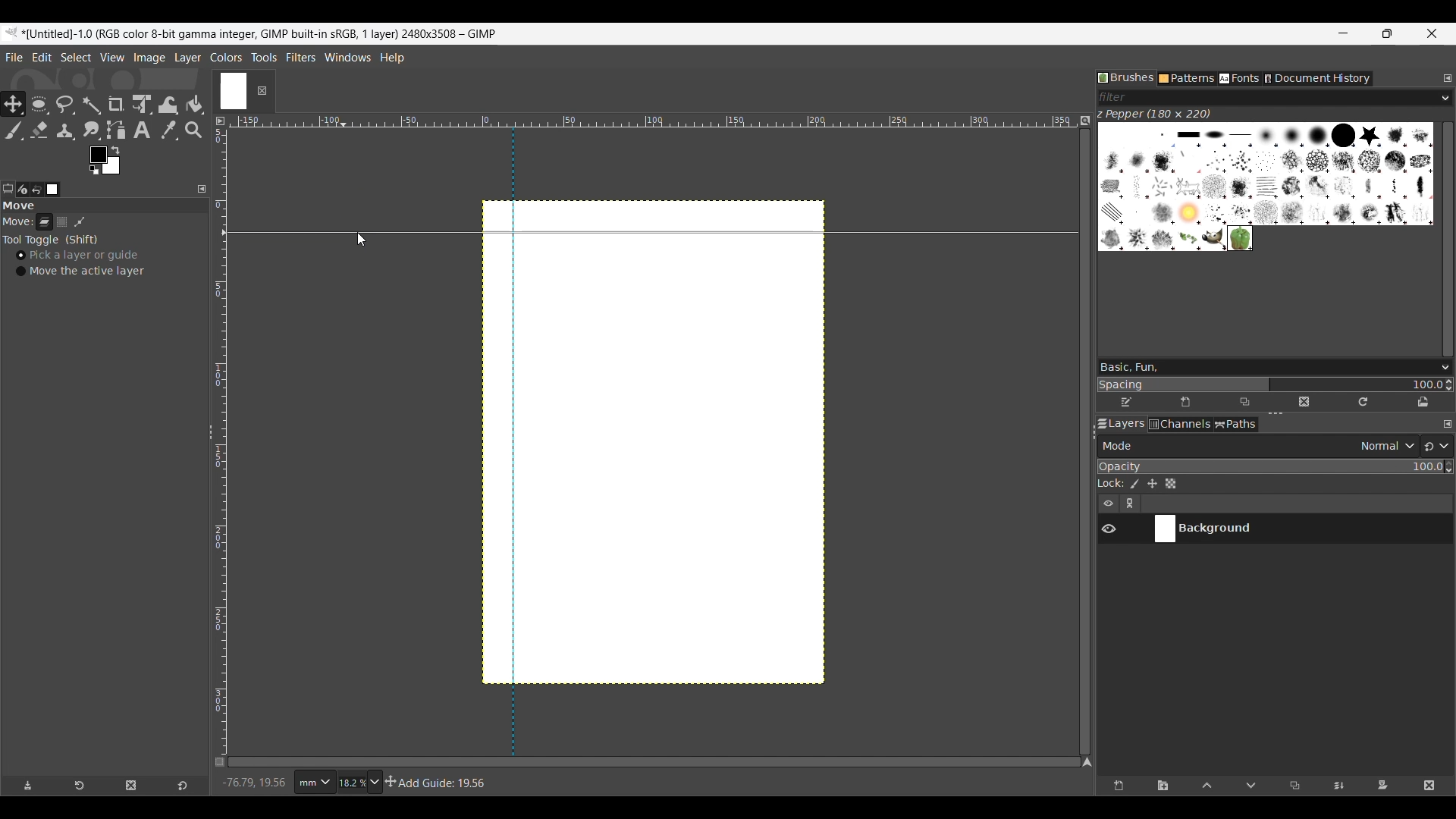 Image resolution: width=1456 pixels, height=819 pixels. What do you see at coordinates (104, 160) in the screenshot?
I see `Foreground color` at bounding box center [104, 160].